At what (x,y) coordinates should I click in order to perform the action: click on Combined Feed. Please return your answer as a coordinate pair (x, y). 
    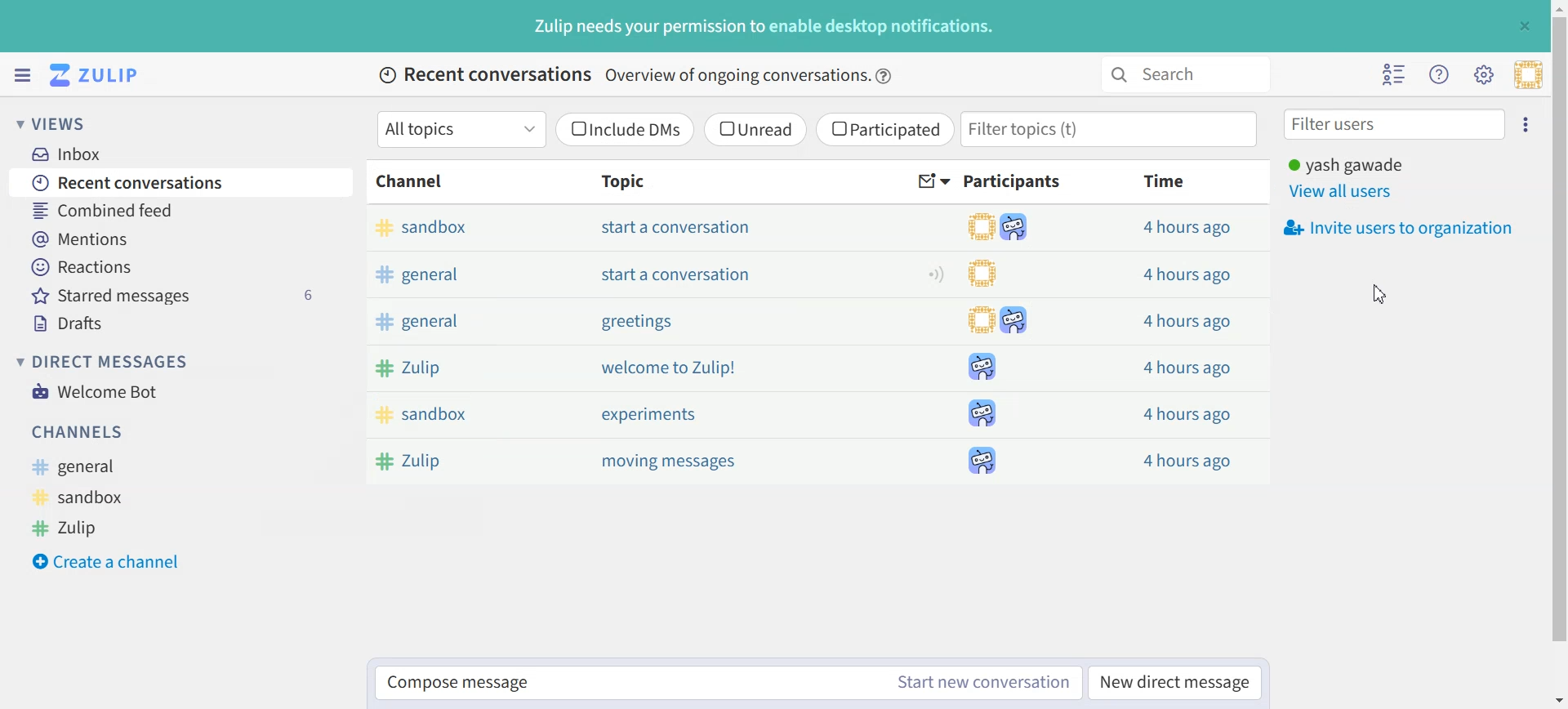
    Looking at the image, I should click on (180, 209).